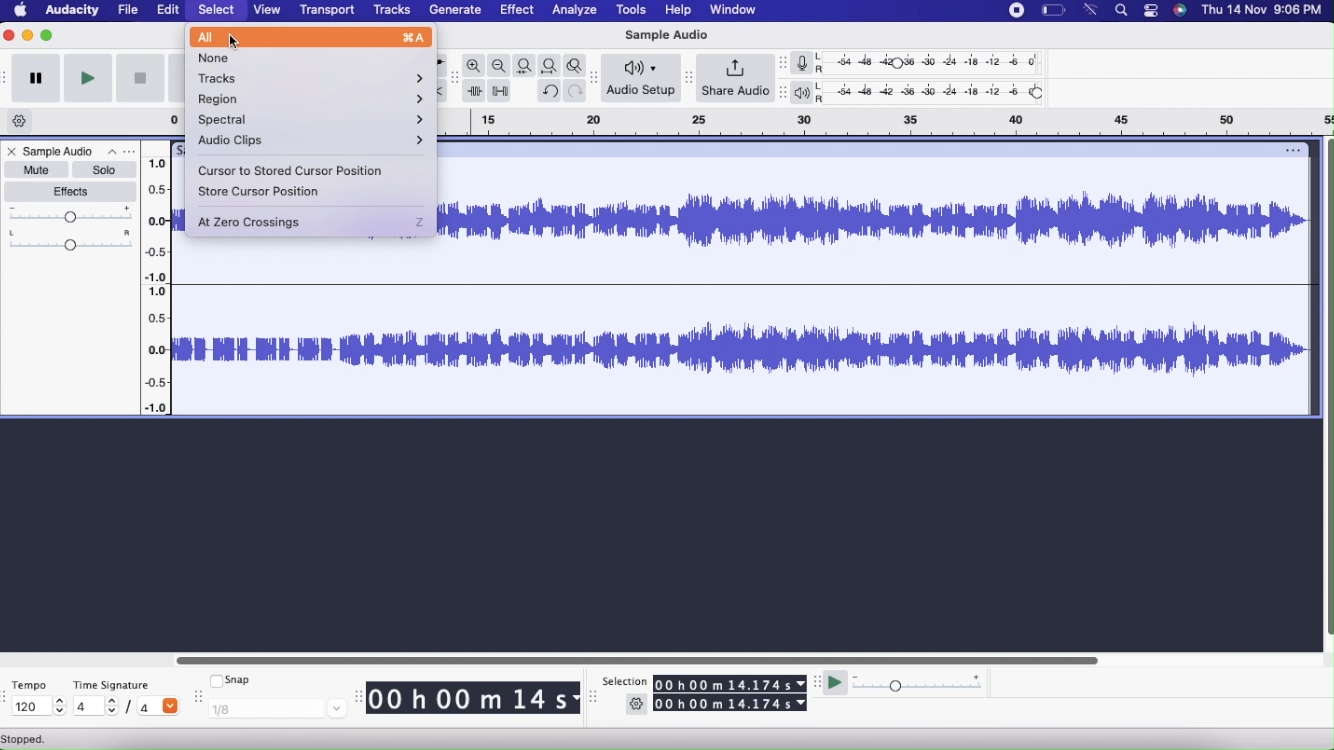 This screenshot has width=1334, height=750. Describe the element at coordinates (122, 151) in the screenshot. I see `Options` at that location.